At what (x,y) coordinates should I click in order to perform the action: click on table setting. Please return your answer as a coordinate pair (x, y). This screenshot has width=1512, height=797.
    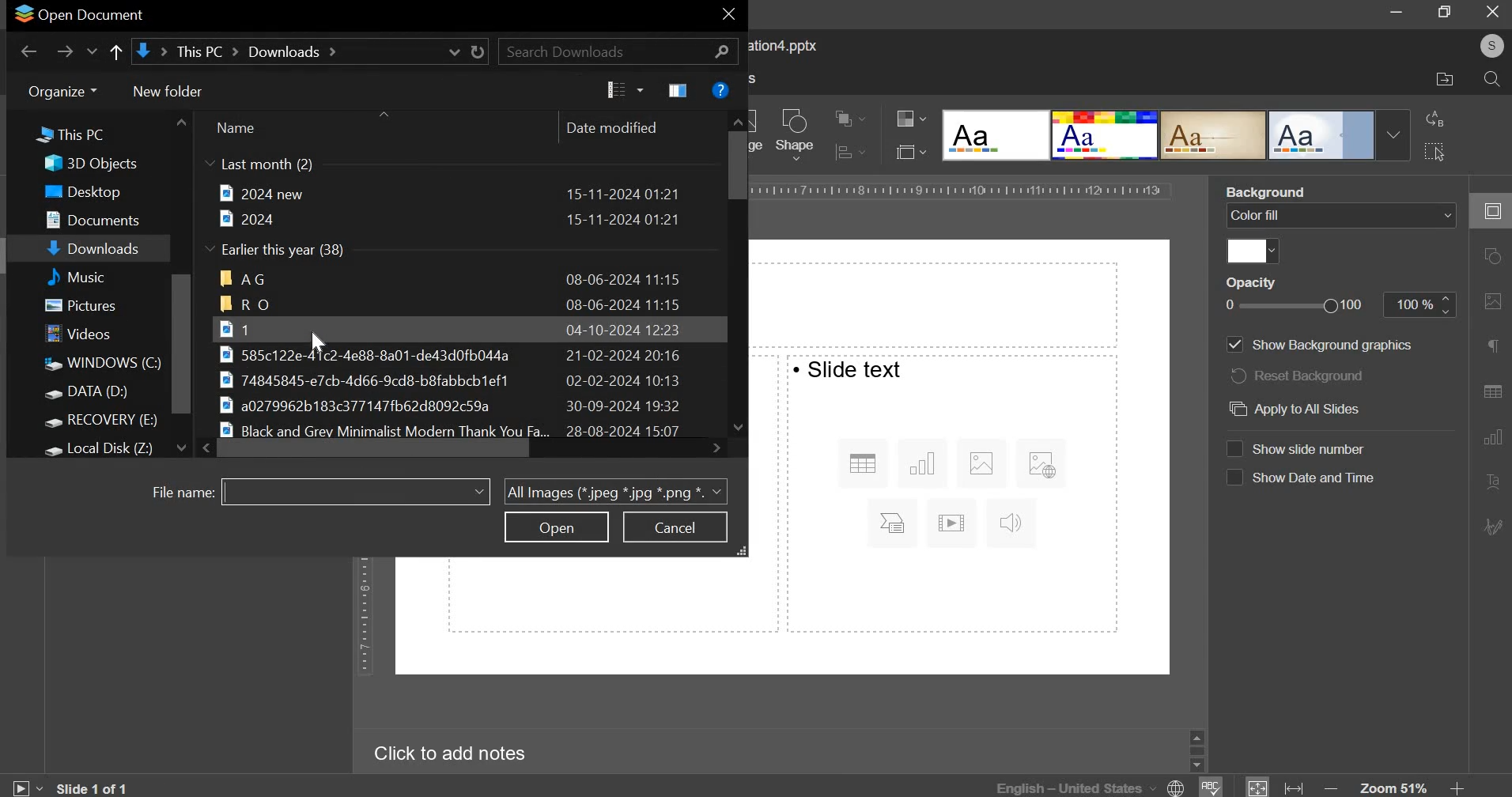
    Looking at the image, I should click on (1491, 387).